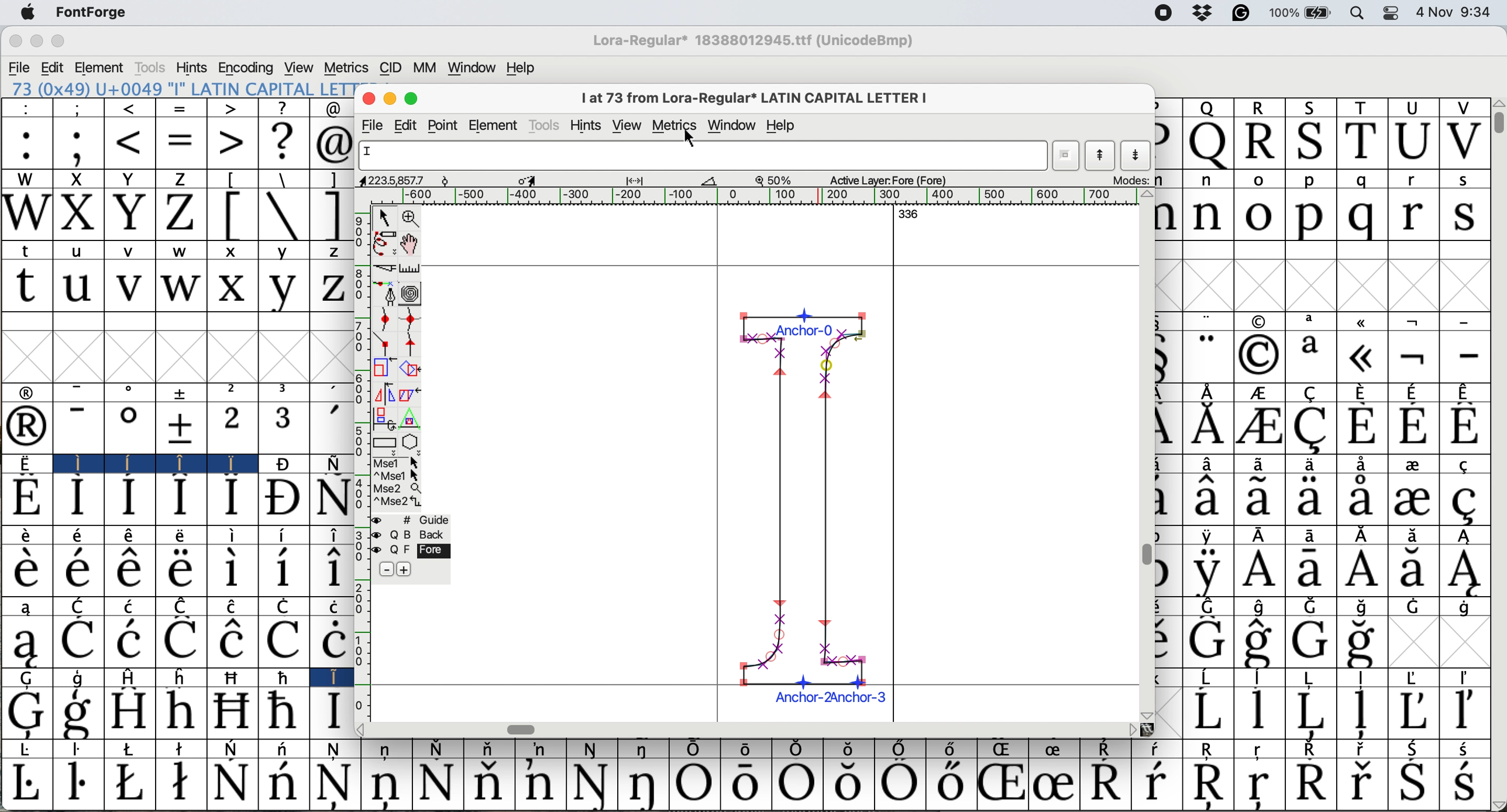 This screenshot has width=1507, height=812. What do you see at coordinates (1258, 355) in the screenshot?
I see `Symbol` at bounding box center [1258, 355].